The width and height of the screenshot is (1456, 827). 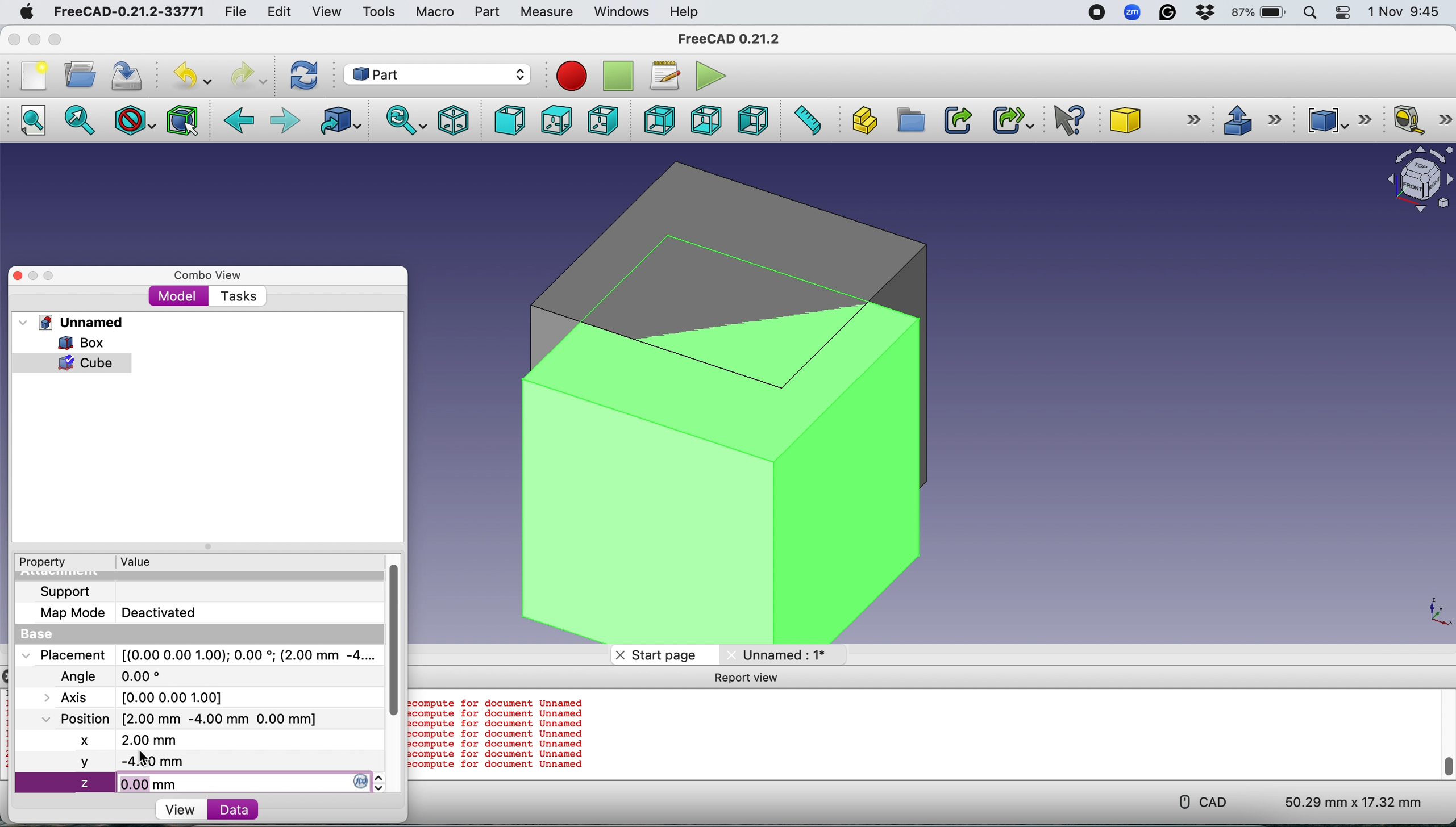 I want to click on Object interface, so click(x=1414, y=181).